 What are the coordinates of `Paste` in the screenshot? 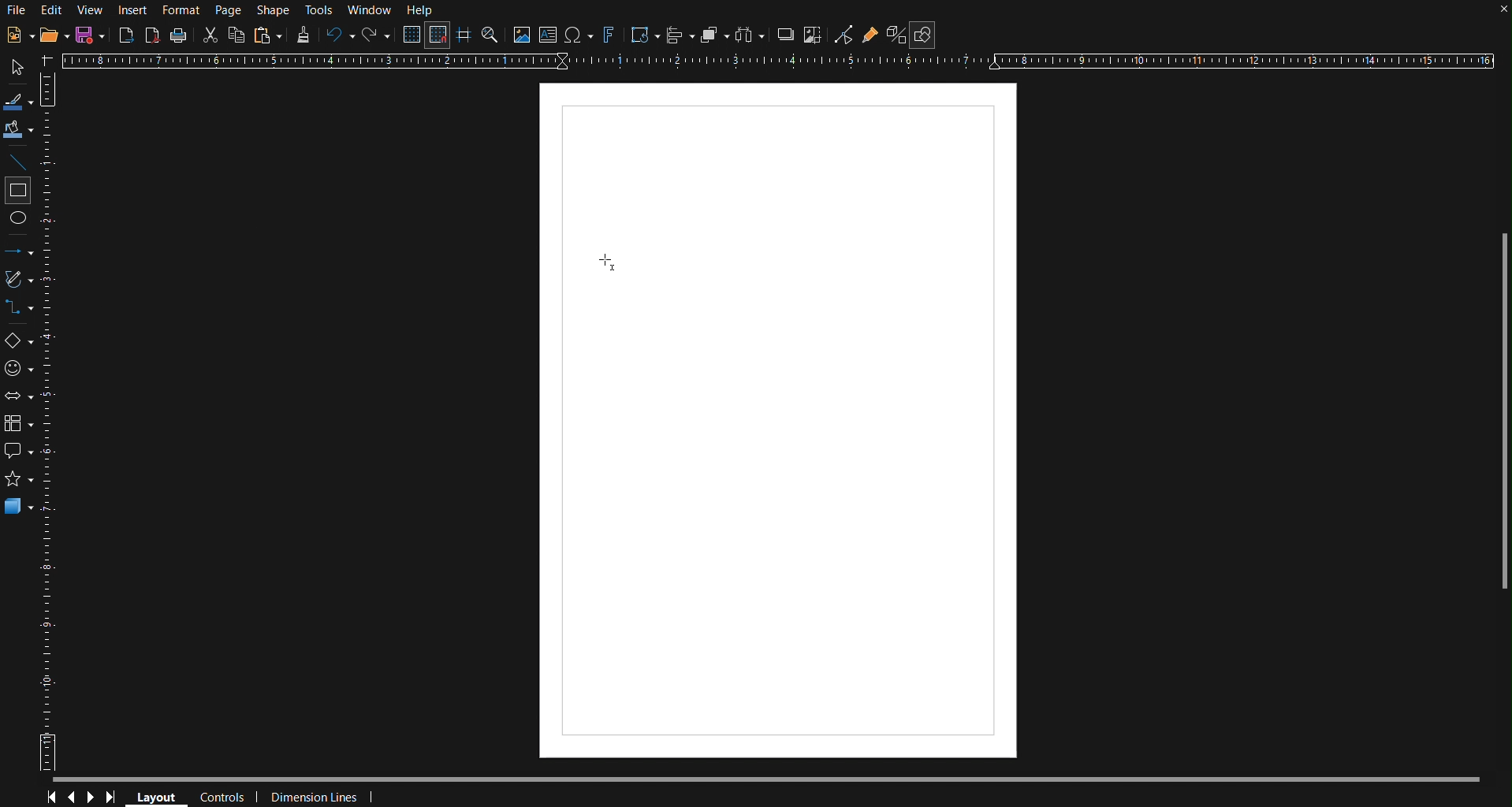 It's located at (268, 35).